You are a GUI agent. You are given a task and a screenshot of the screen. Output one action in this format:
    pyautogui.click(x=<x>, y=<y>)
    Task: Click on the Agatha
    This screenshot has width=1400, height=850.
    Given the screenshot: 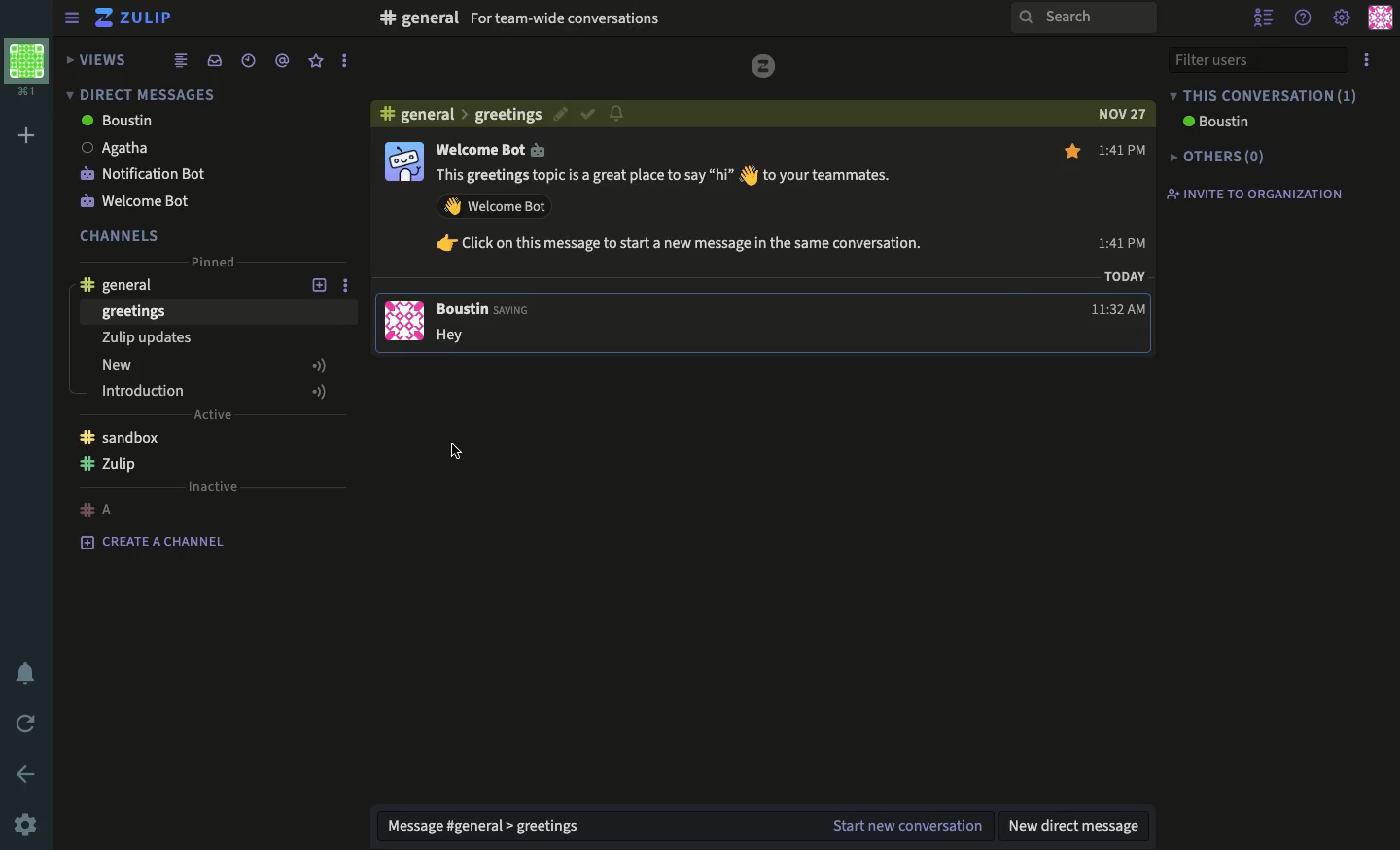 What is the action you would take?
    pyautogui.click(x=122, y=148)
    